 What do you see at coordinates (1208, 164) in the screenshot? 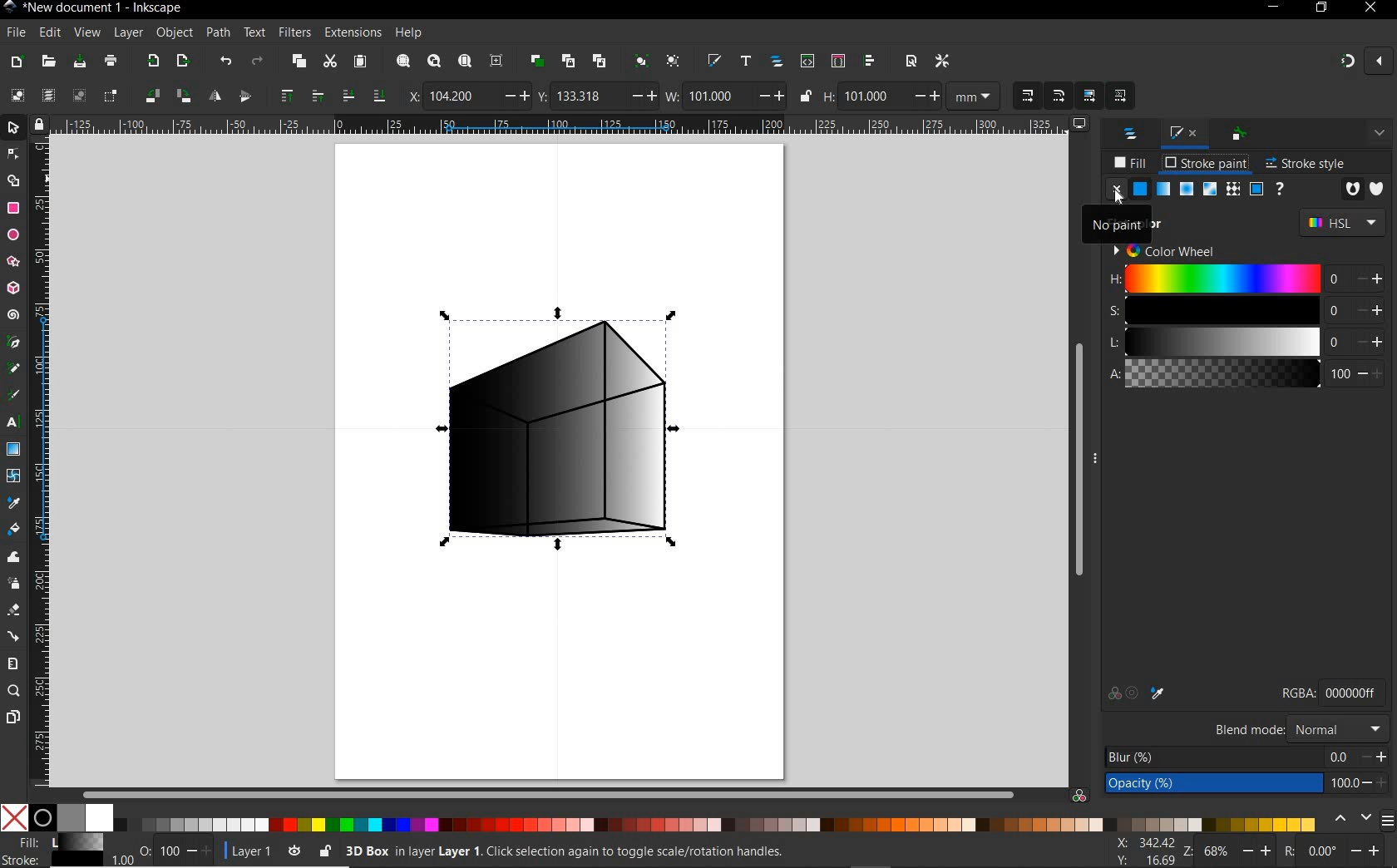
I see `STROKE PAINT` at bounding box center [1208, 164].